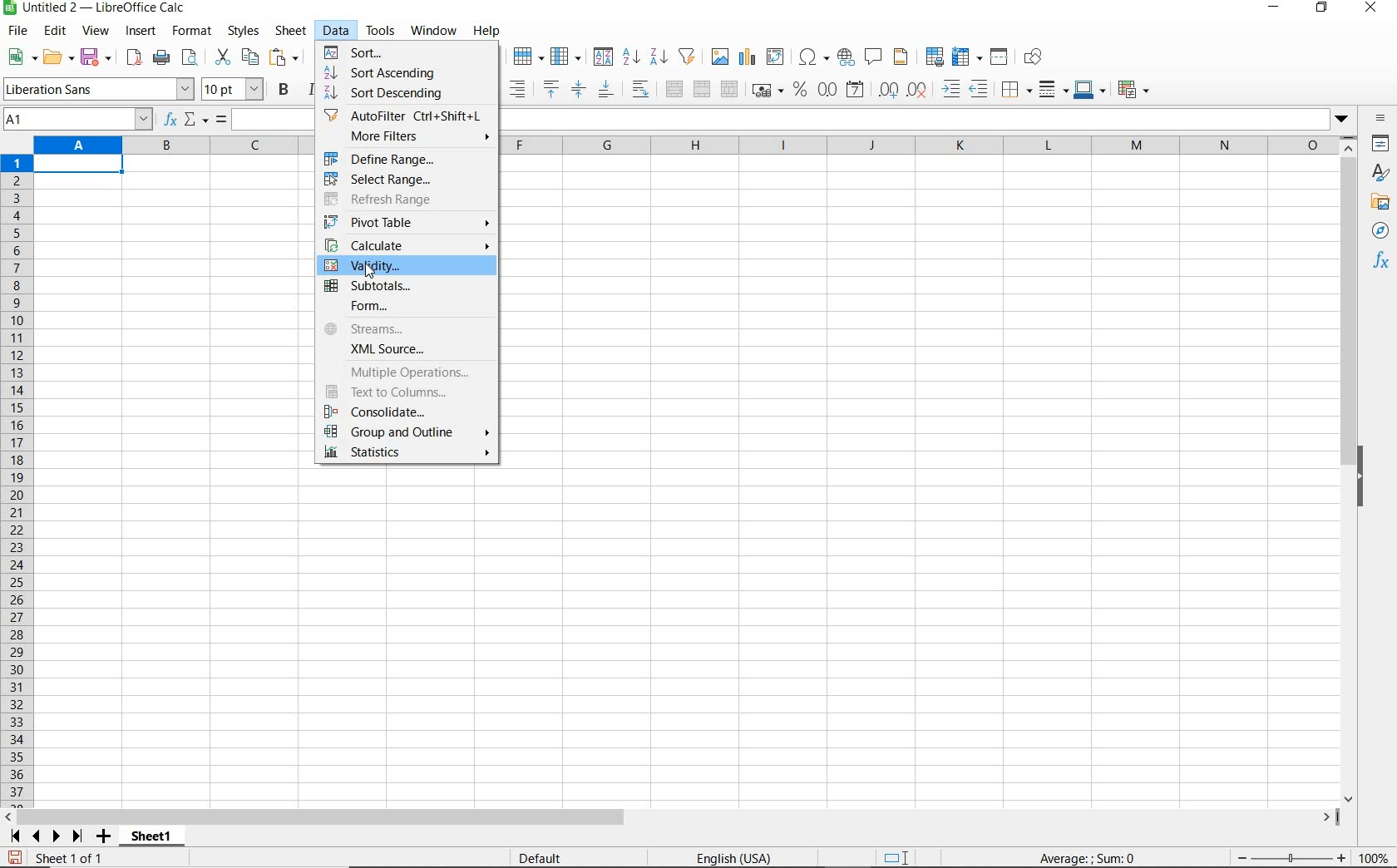  Describe the element at coordinates (411, 136) in the screenshot. I see `more filters` at that location.